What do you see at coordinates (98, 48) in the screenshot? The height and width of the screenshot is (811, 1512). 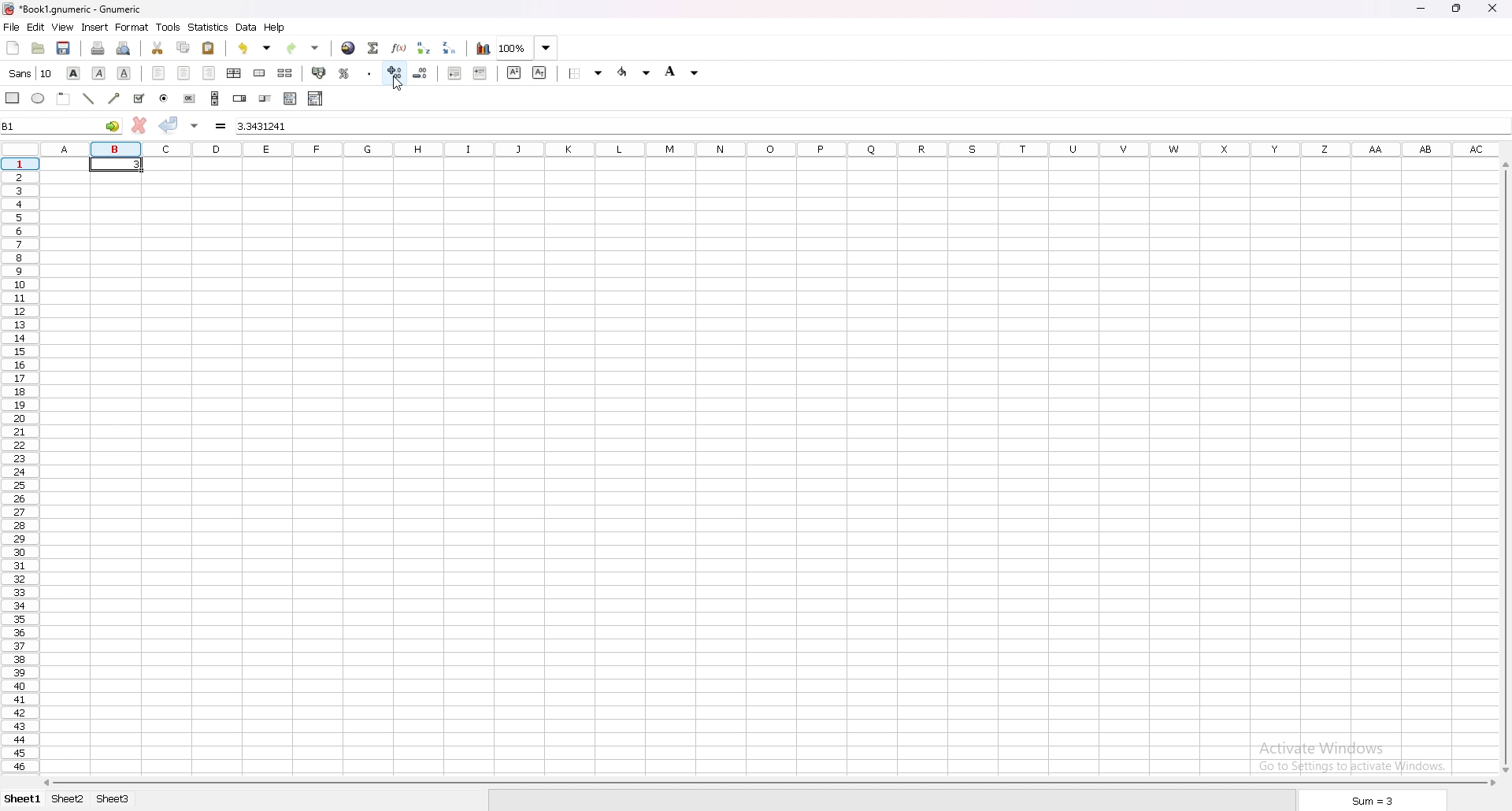 I see `print` at bounding box center [98, 48].